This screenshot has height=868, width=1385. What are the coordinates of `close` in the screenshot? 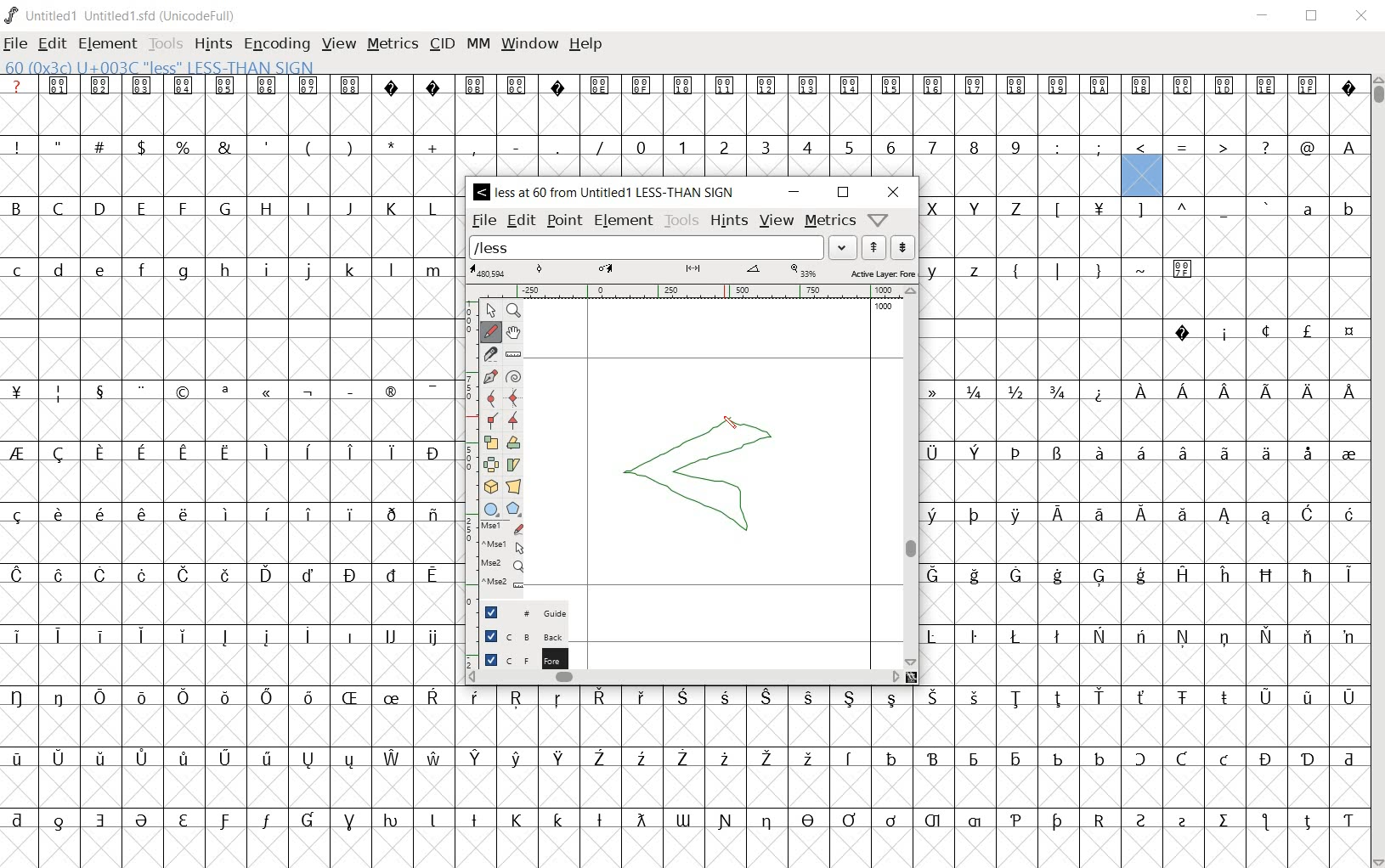 It's located at (893, 192).